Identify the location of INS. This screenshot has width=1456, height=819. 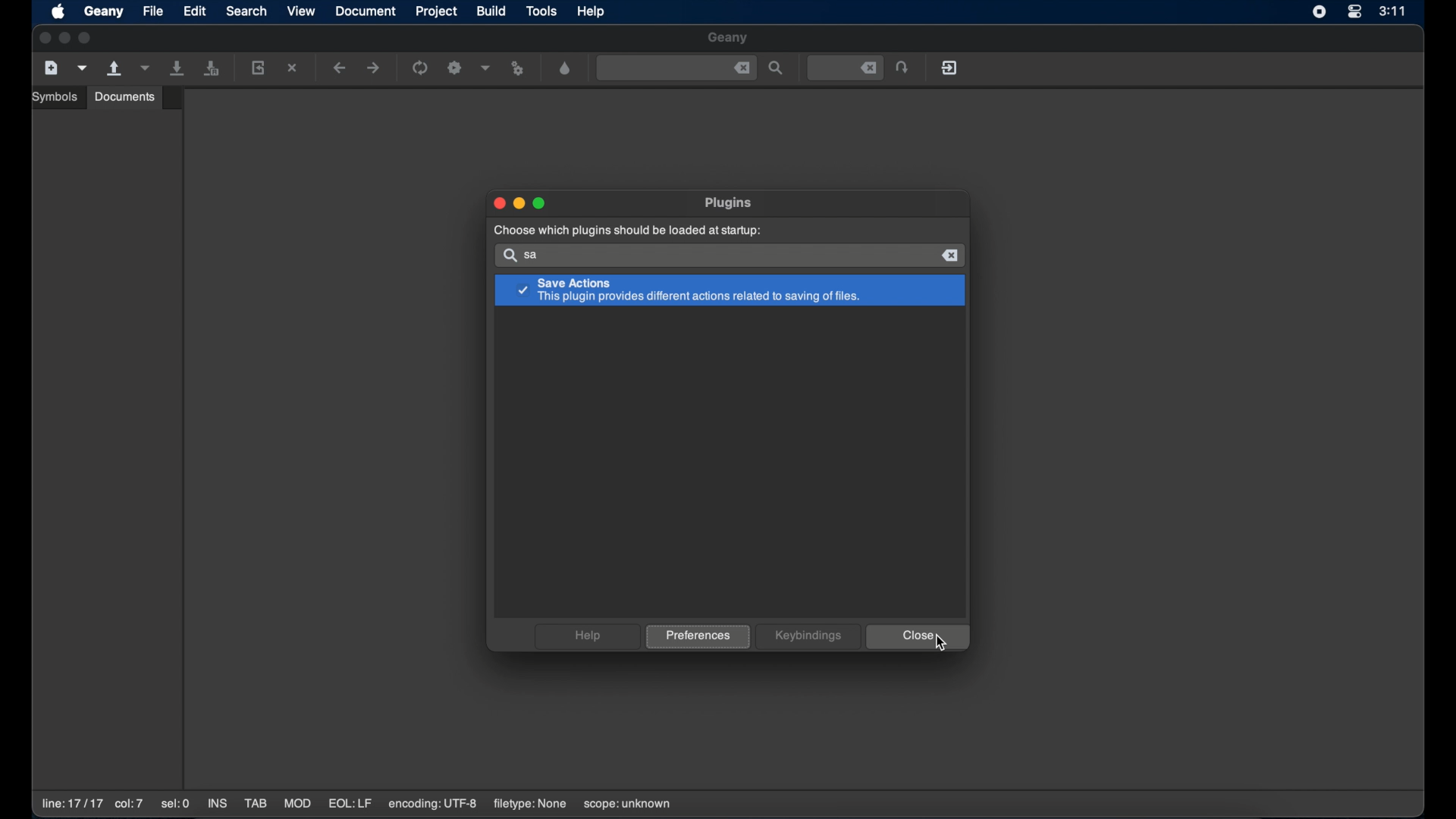
(218, 805).